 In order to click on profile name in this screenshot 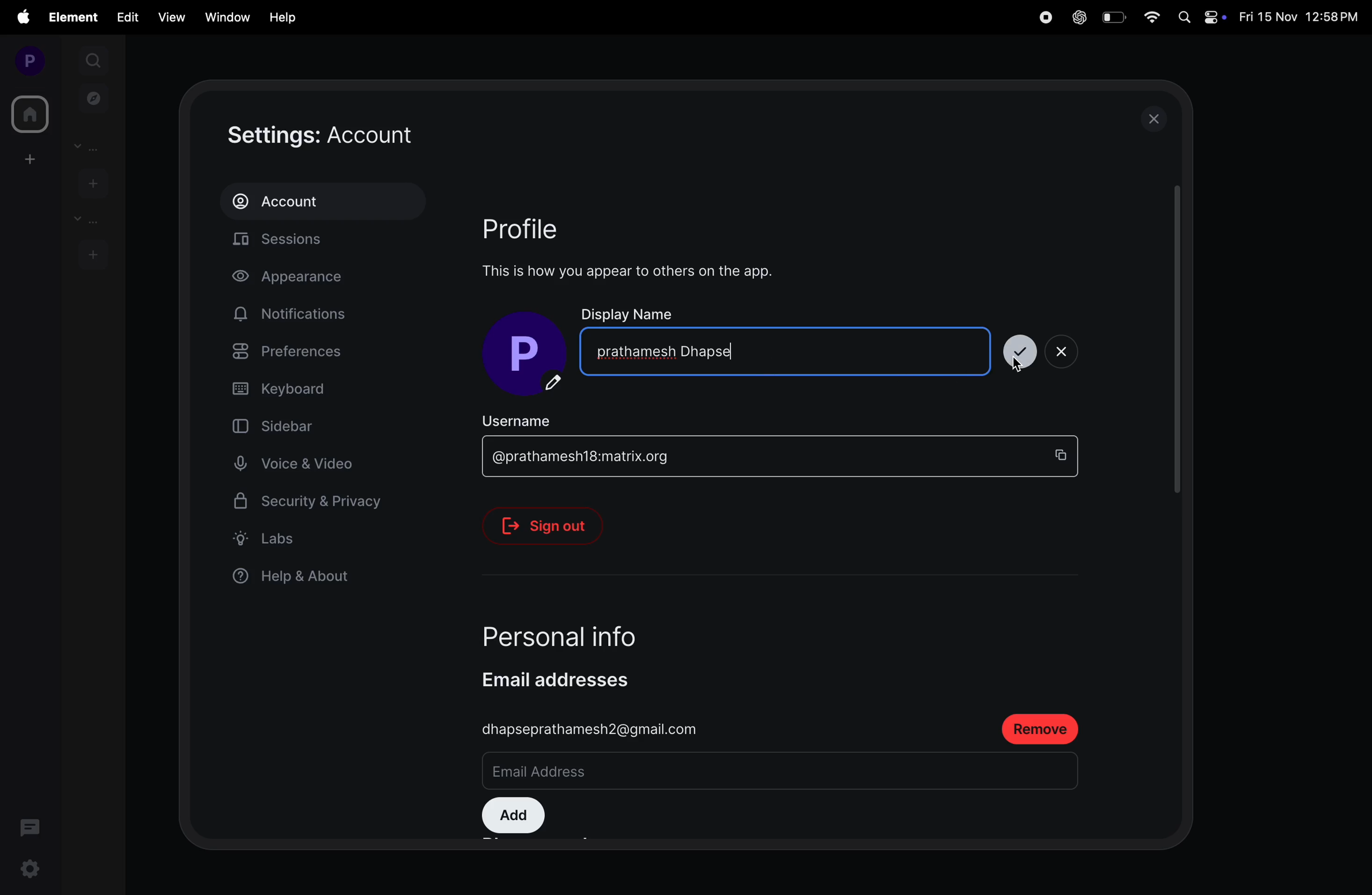, I will do `click(529, 355)`.